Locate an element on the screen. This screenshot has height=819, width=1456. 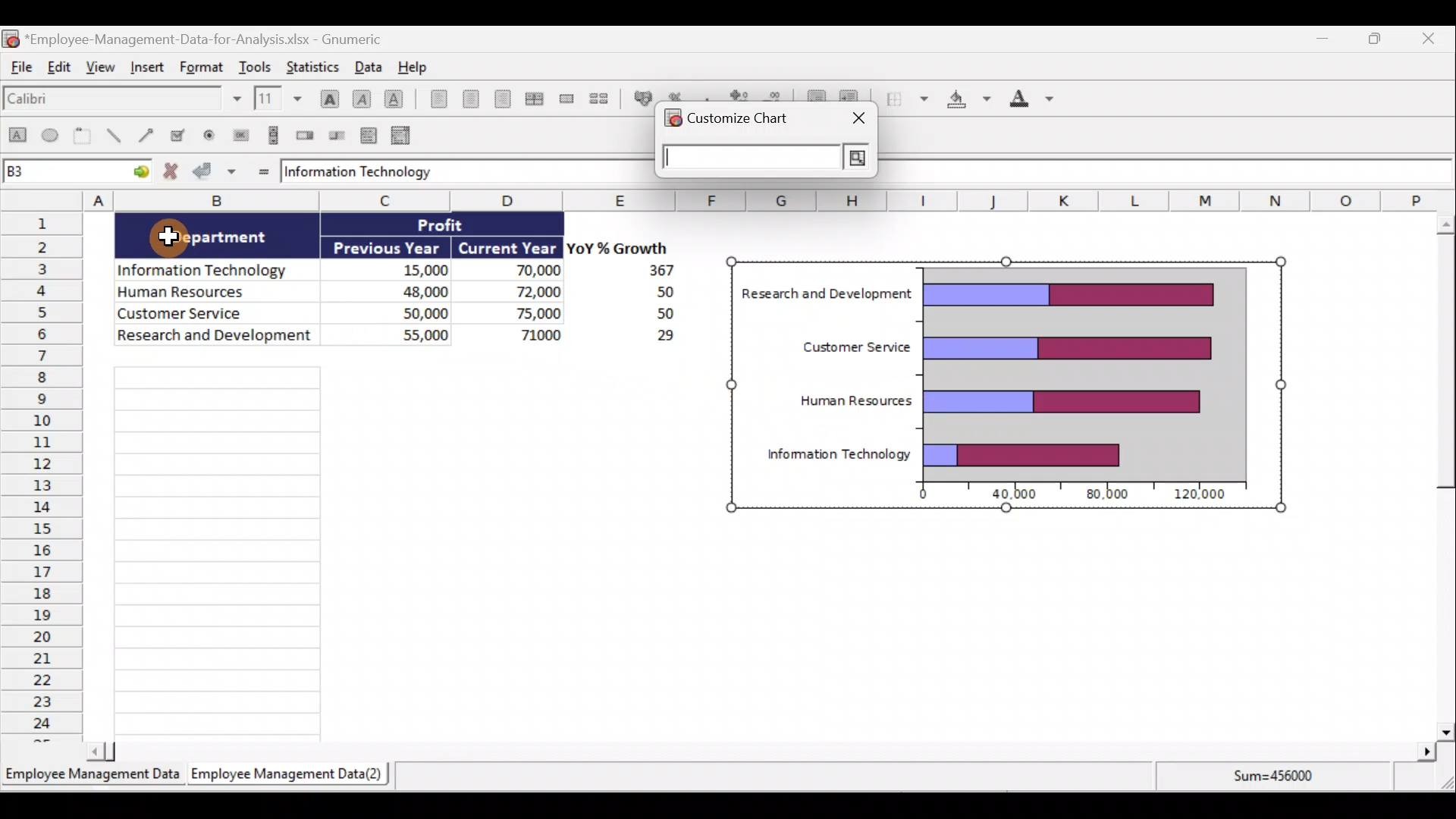
Bold is located at coordinates (328, 98).